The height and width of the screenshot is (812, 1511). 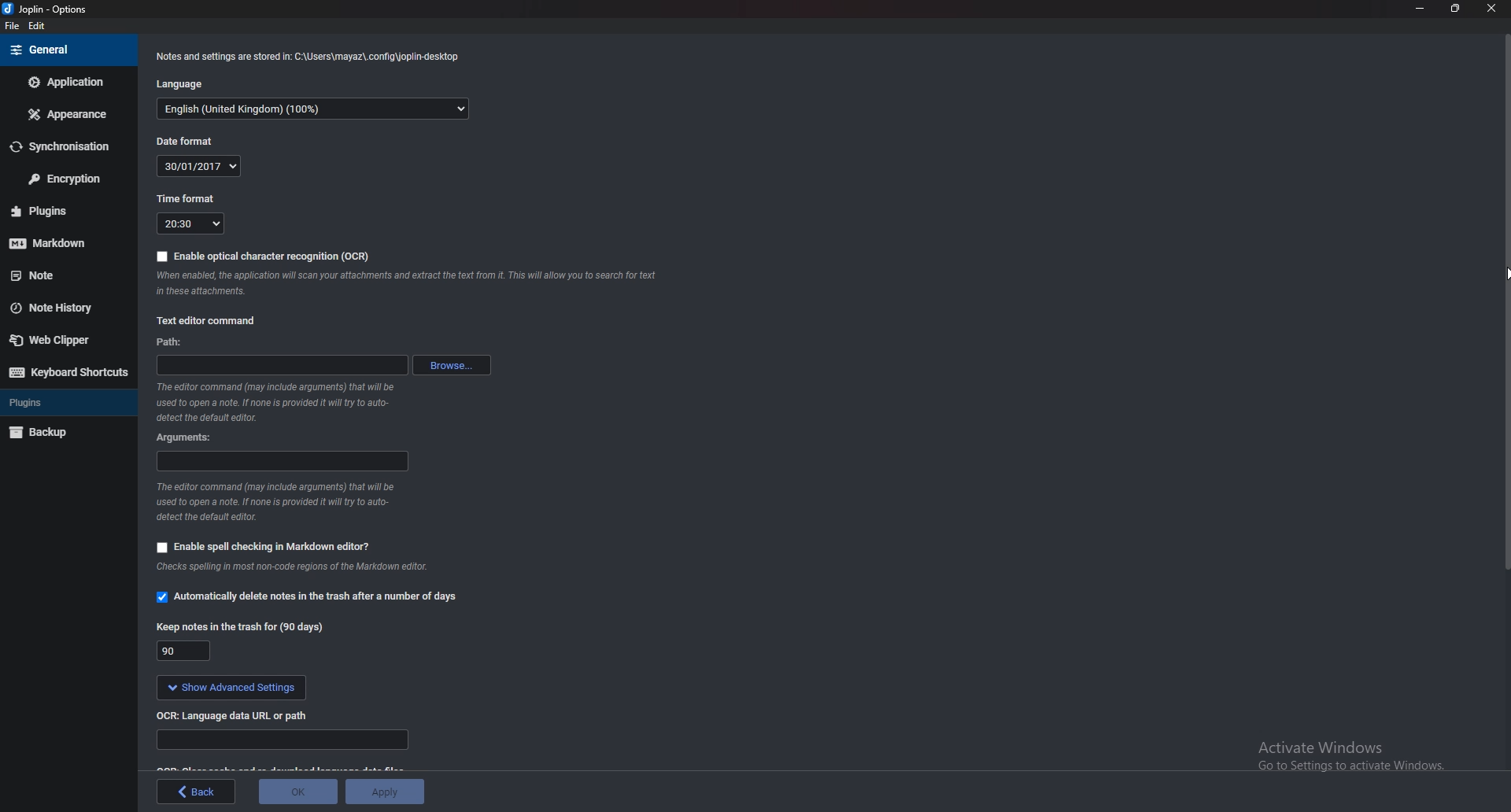 I want to click on Show advanced settings, so click(x=230, y=687).